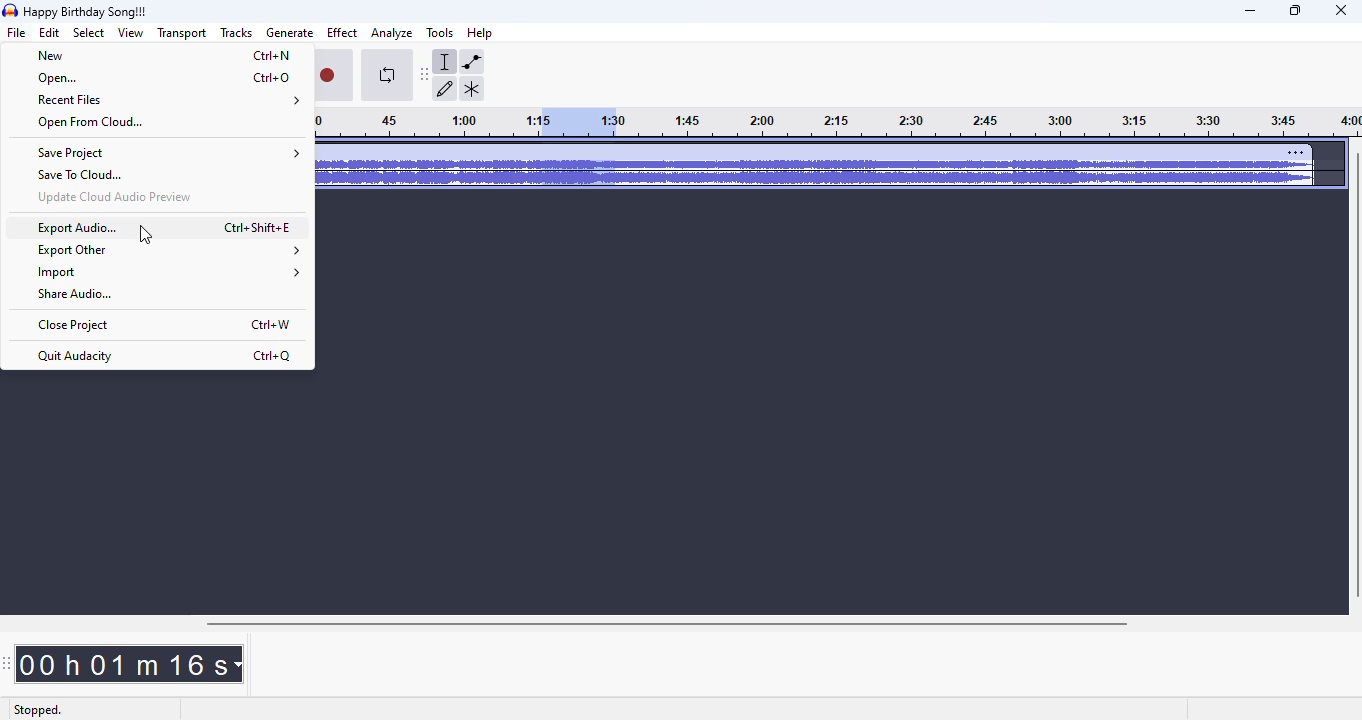 Image resolution: width=1362 pixels, height=720 pixels. What do you see at coordinates (384, 77) in the screenshot?
I see `enable looping` at bounding box center [384, 77].